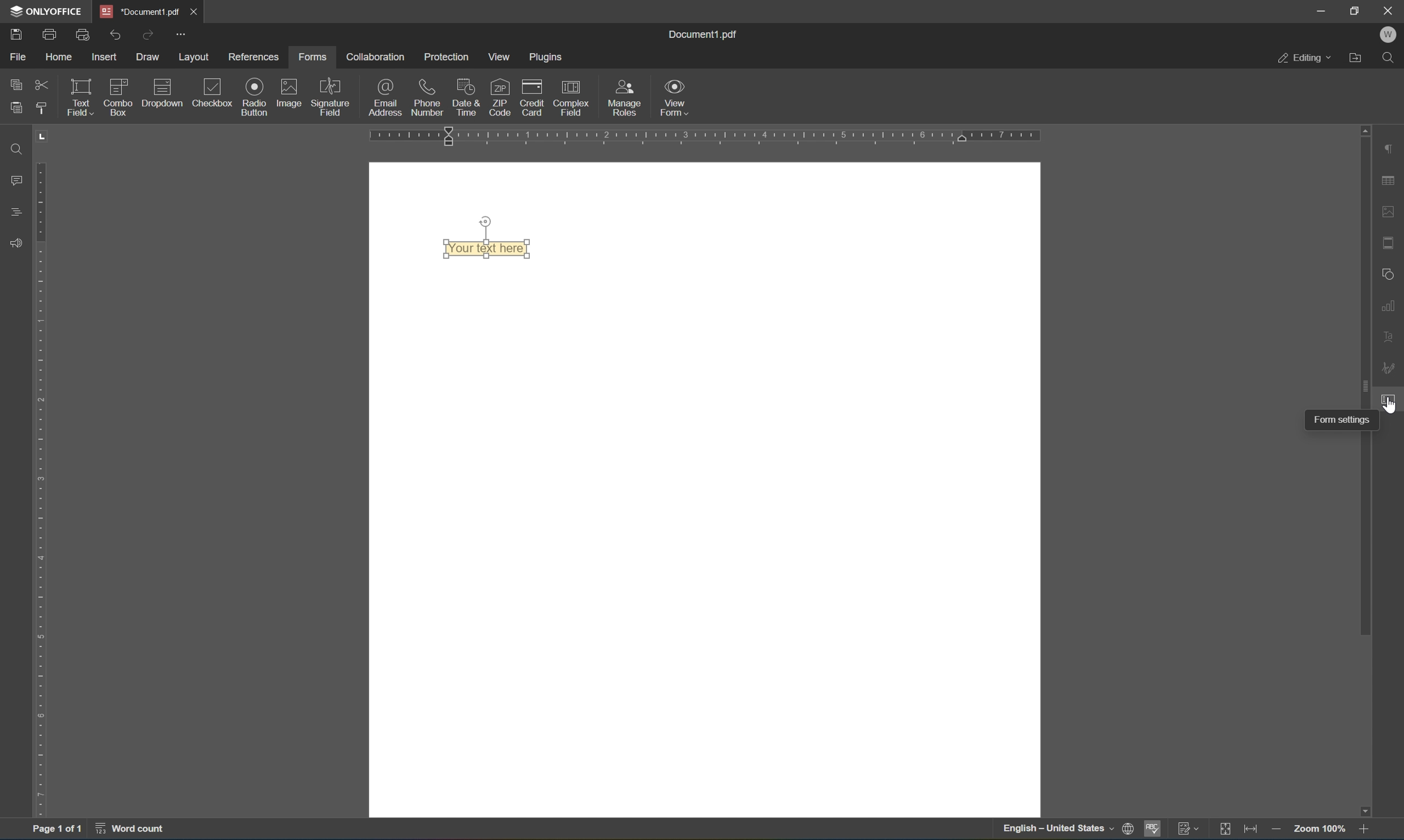  What do you see at coordinates (16, 109) in the screenshot?
I see `paste` at bounding box center [16, 109].